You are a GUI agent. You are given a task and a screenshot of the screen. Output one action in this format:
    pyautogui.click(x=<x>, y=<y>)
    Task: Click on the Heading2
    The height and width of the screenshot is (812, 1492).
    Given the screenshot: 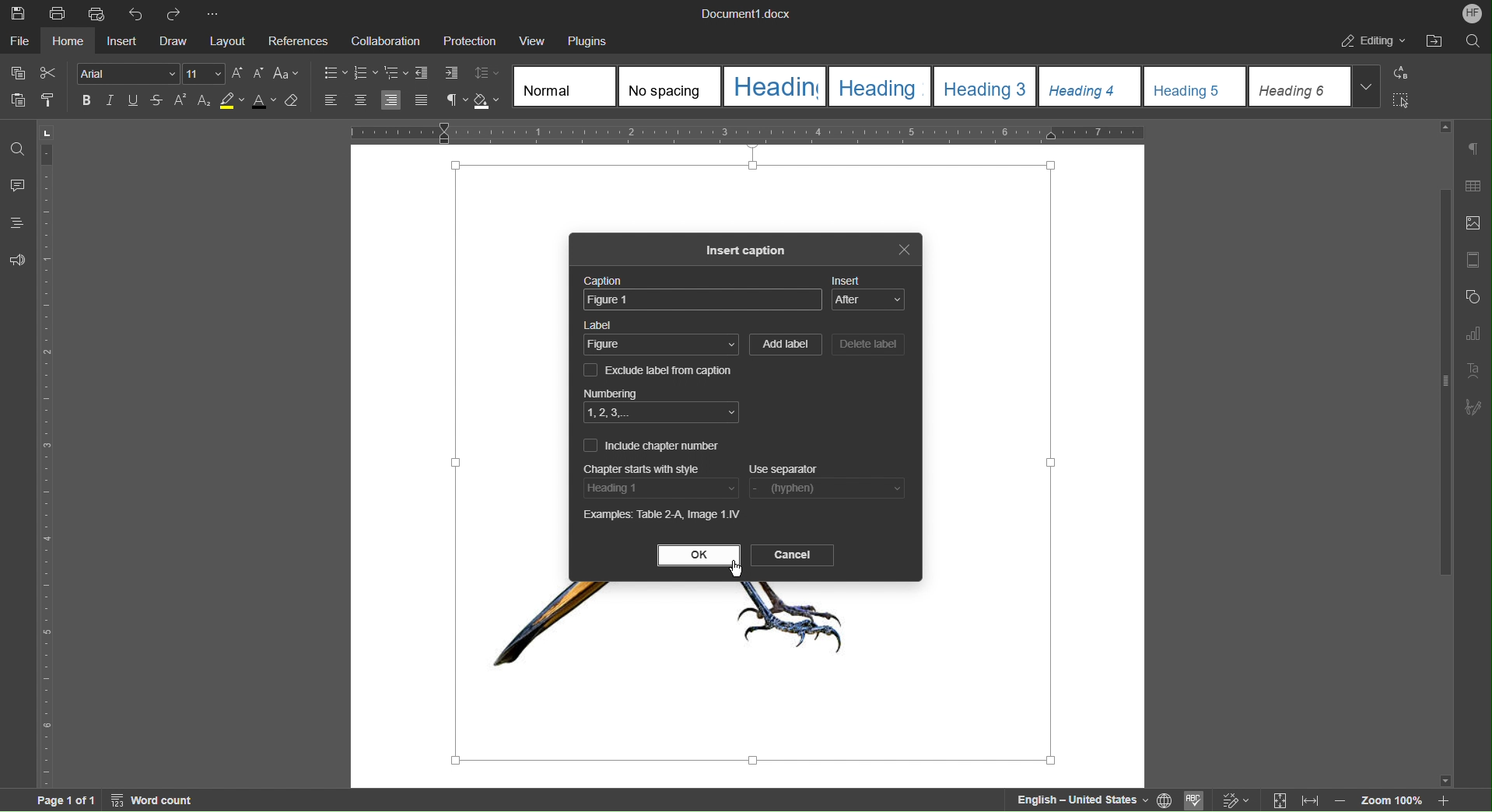 What is the action you would take?
    pyautogui.click(x=879, y=85)
    